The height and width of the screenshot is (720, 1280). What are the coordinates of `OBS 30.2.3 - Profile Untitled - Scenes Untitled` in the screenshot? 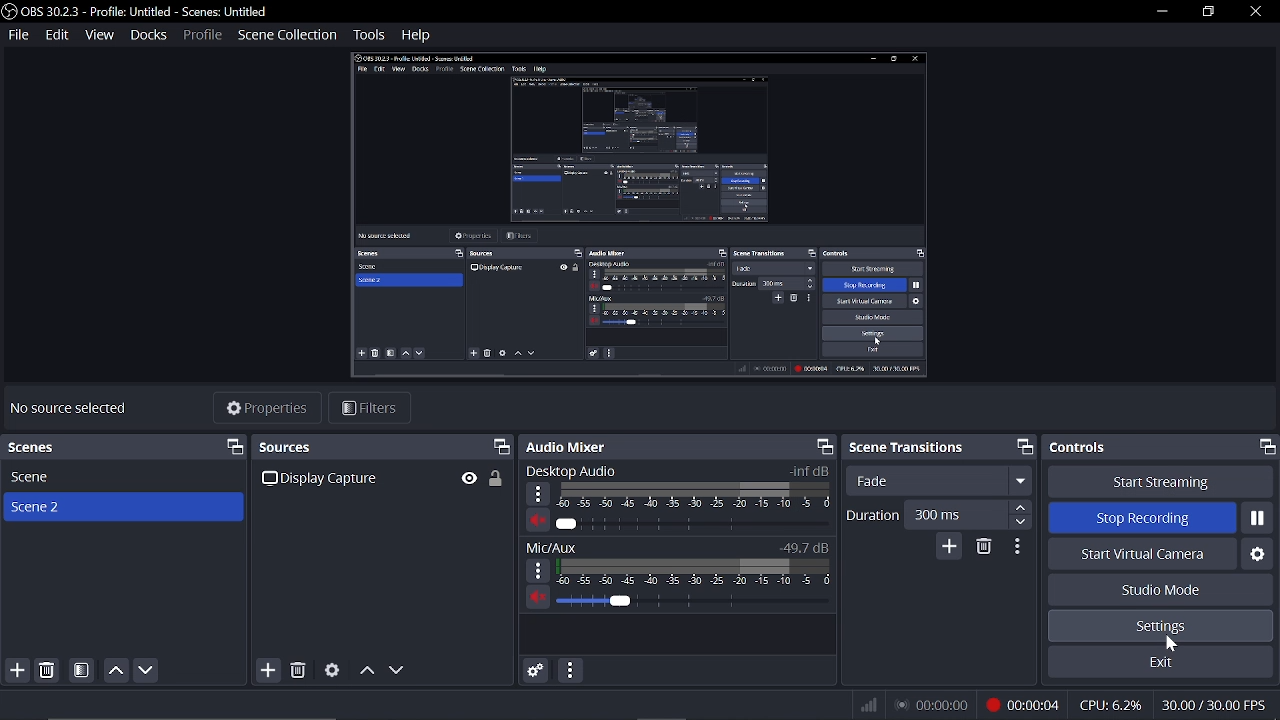 It's located at (138, 10).